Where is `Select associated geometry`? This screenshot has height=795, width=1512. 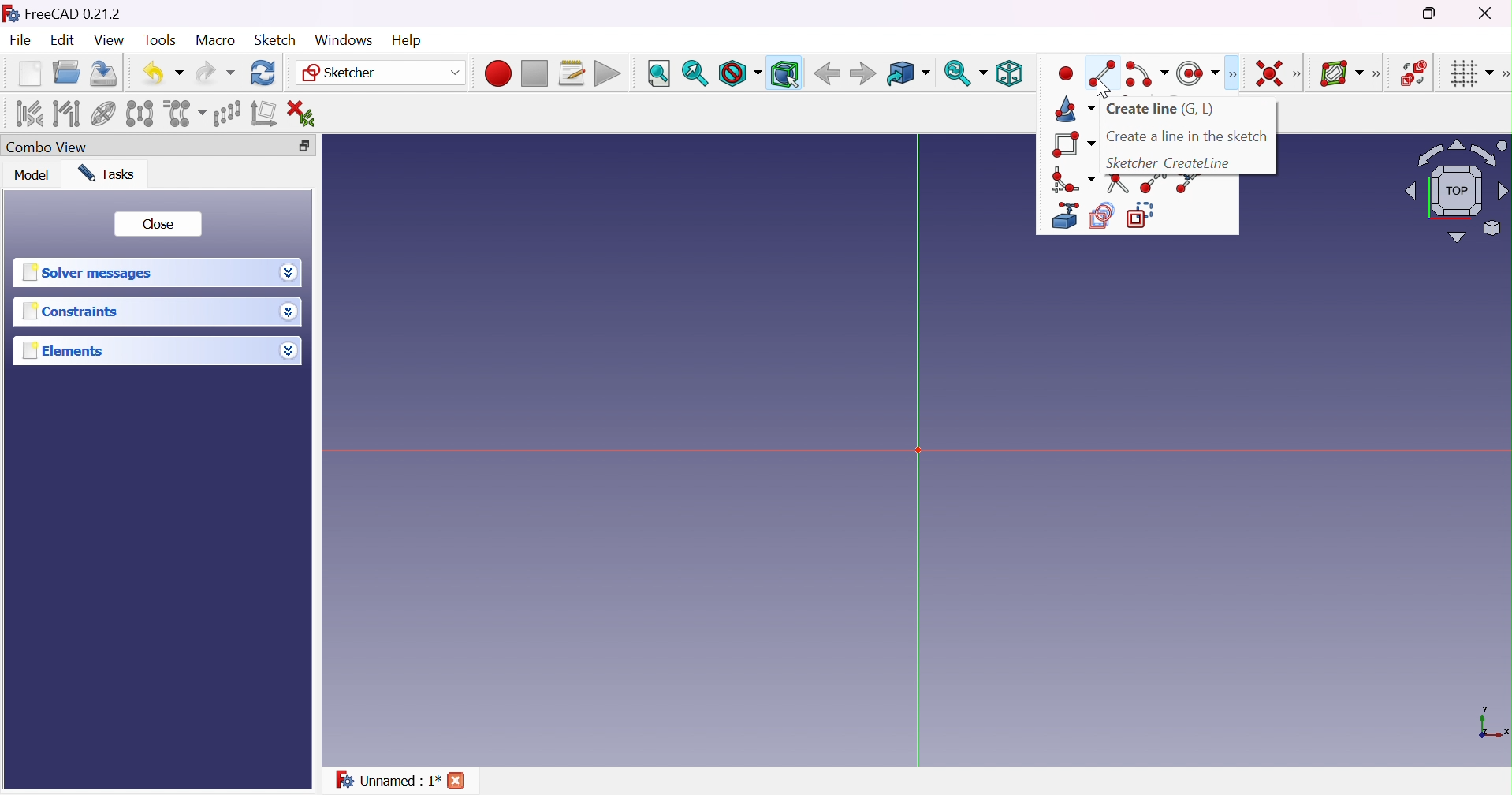 Select associated geometry is located at coordinates (66, 114).